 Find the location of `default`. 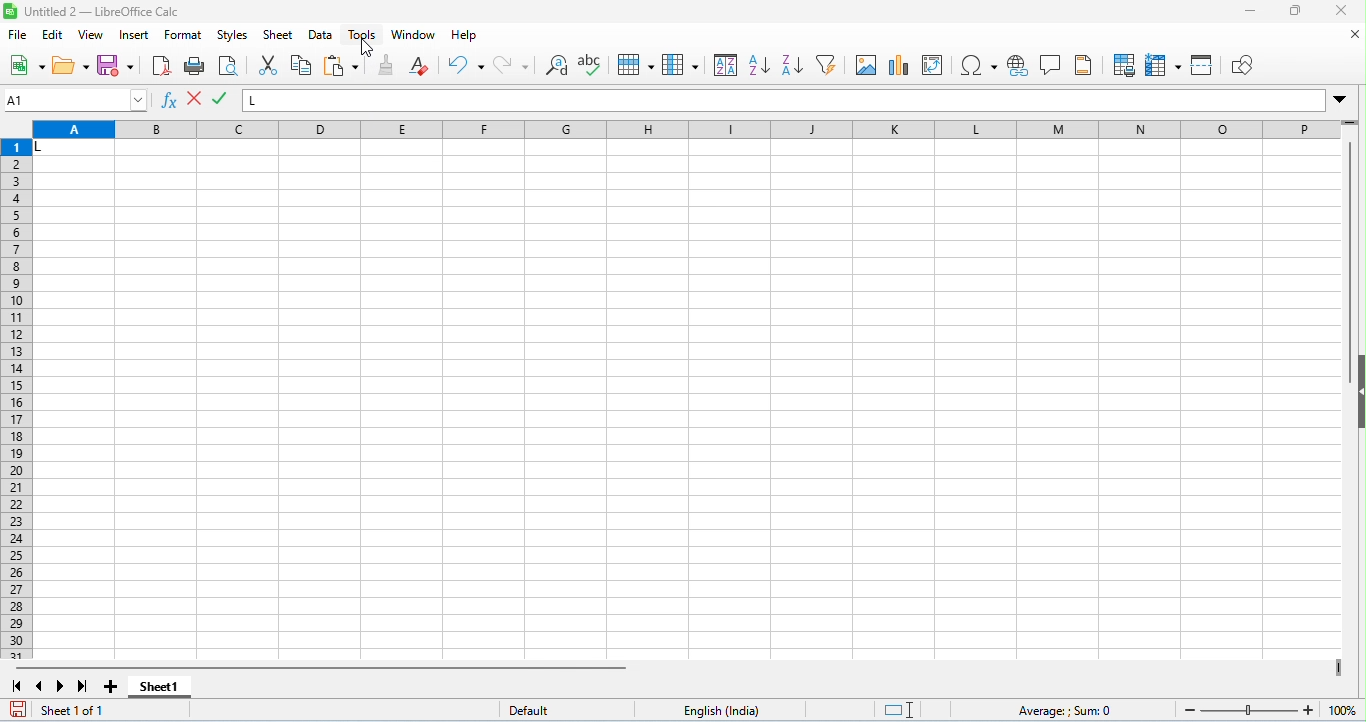

default is located at coordinates (539, 711).